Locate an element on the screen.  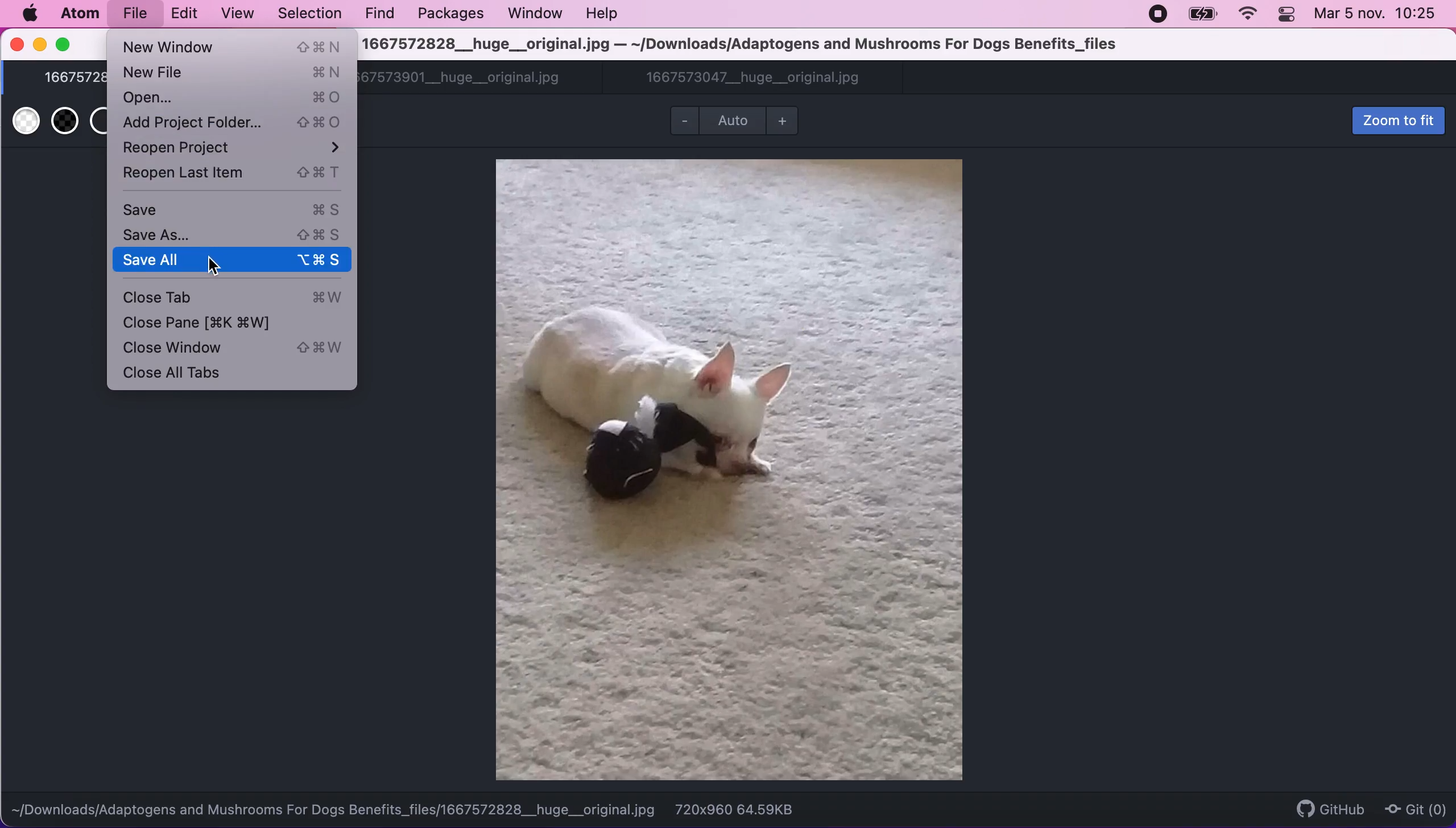
zoom to fit is located at coordinates (1396, 119).